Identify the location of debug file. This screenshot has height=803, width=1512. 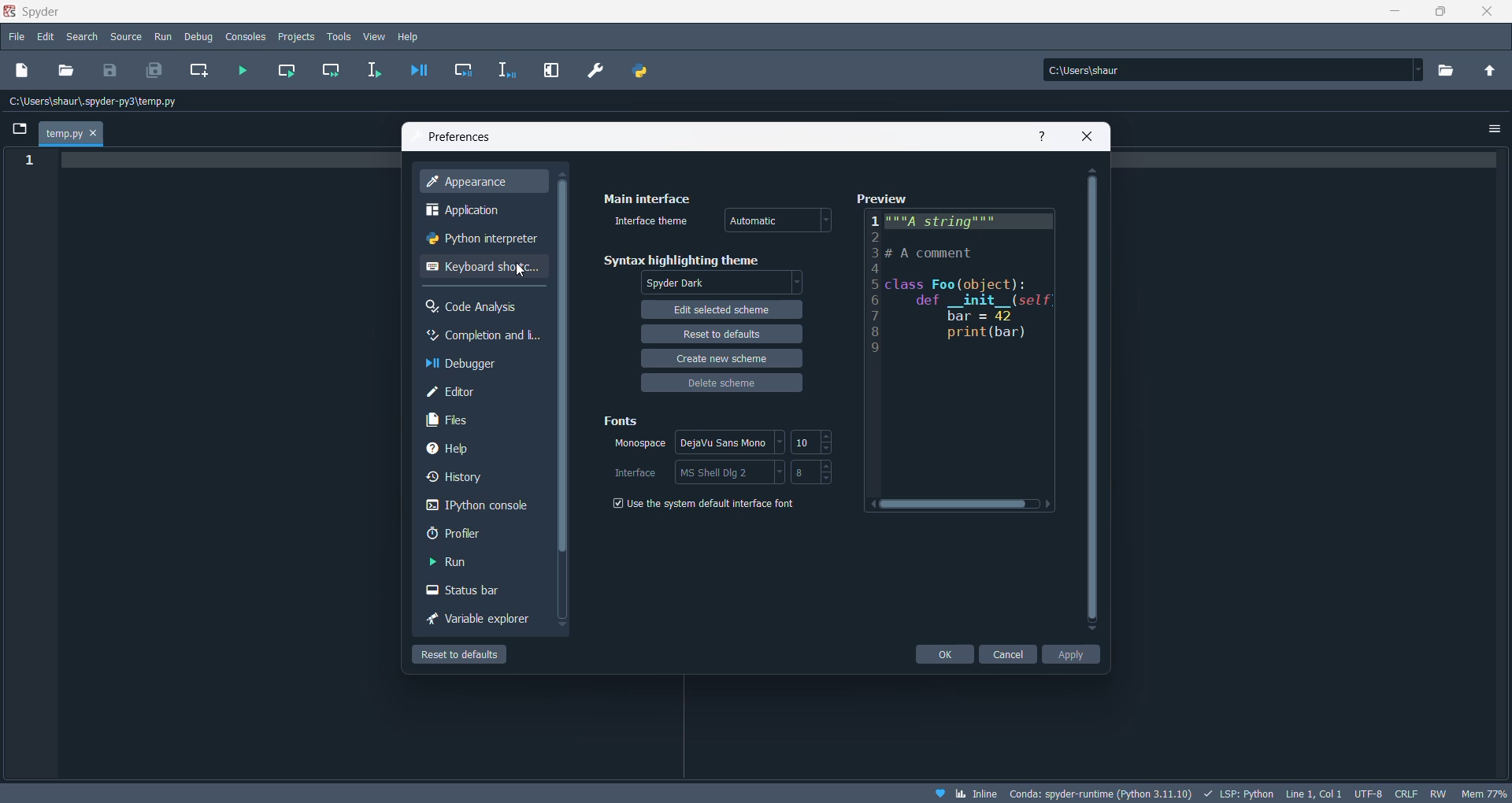
(417, 69).